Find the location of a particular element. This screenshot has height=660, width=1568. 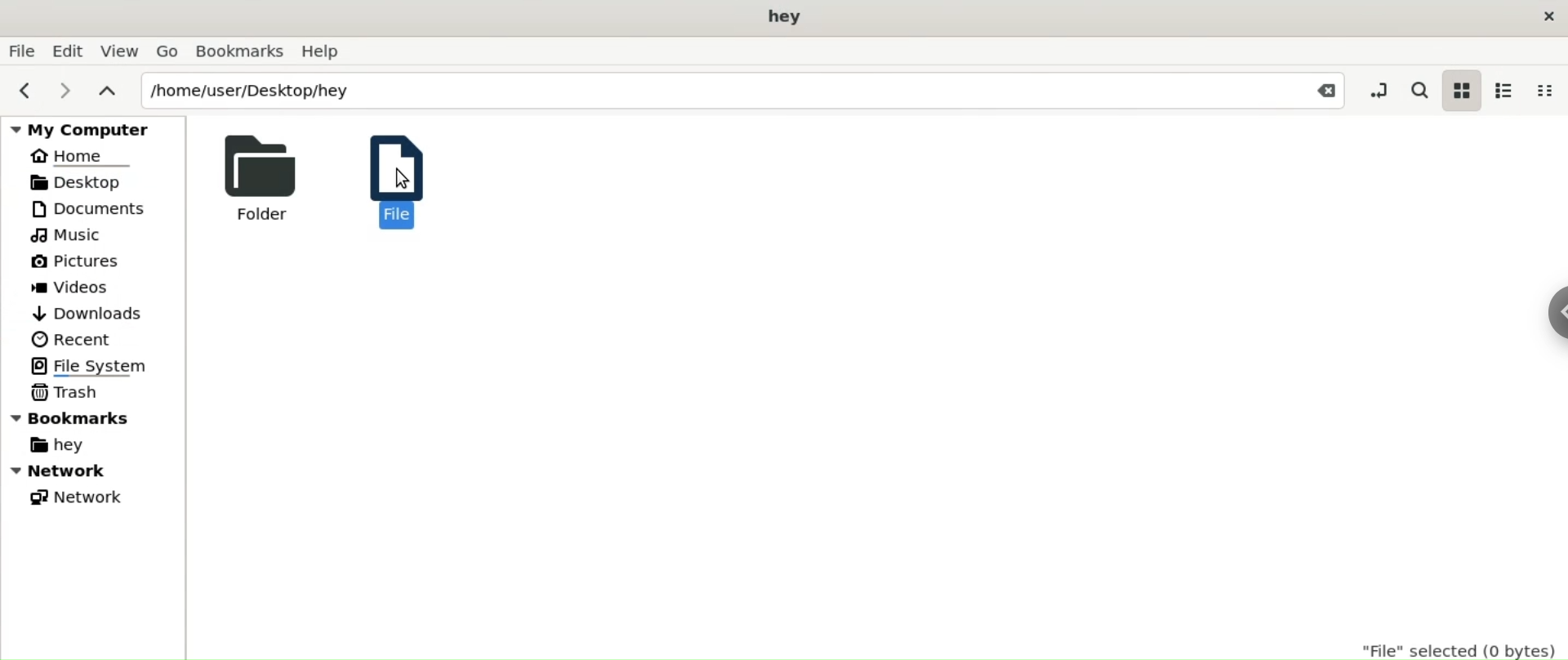

bookmarks is located at coordinates (95, 417).